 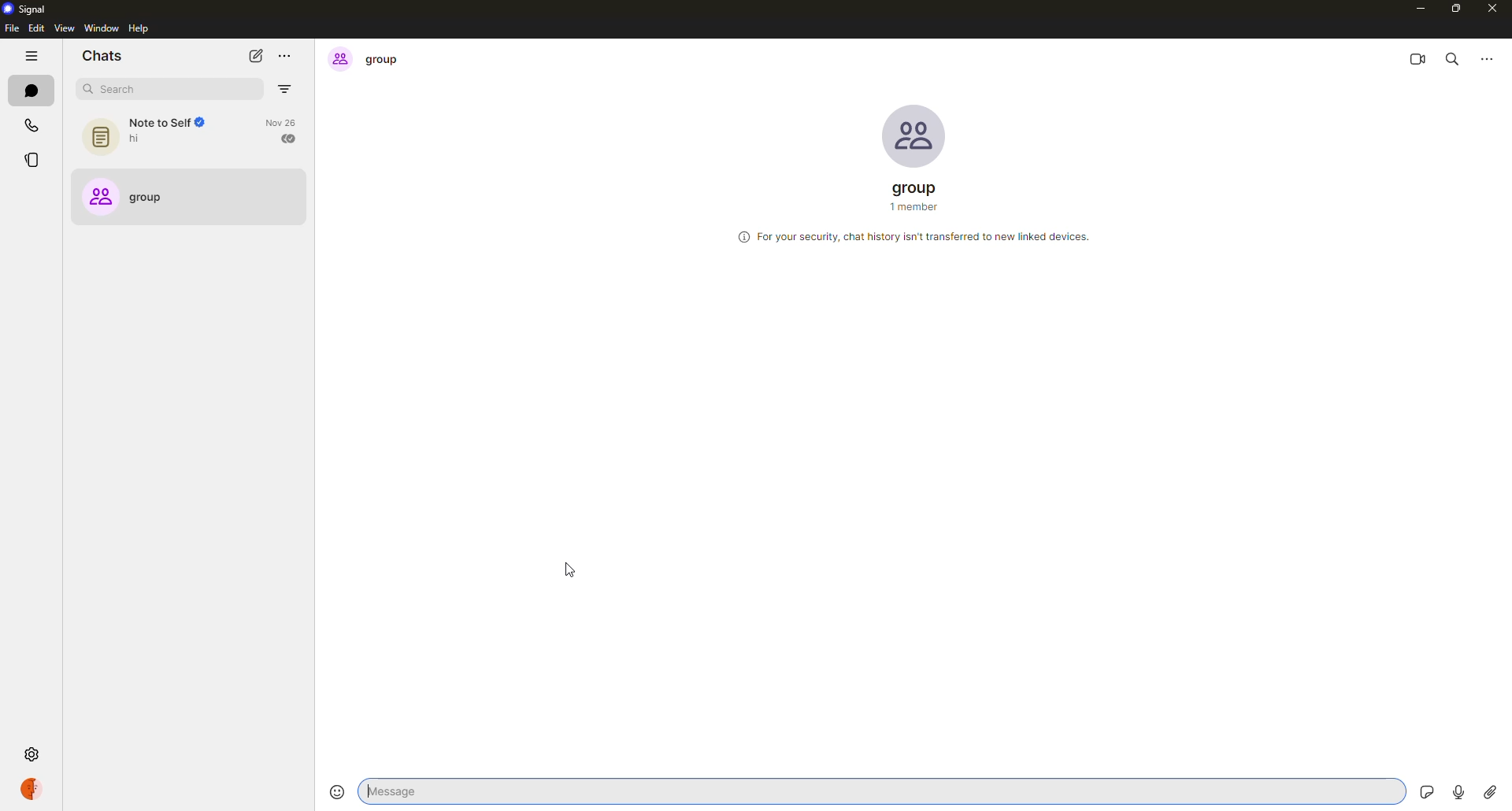 What do you see at coordinates (31, 57) in the screenshot?
I see `hide tabs` at bounding box center [31, 57].